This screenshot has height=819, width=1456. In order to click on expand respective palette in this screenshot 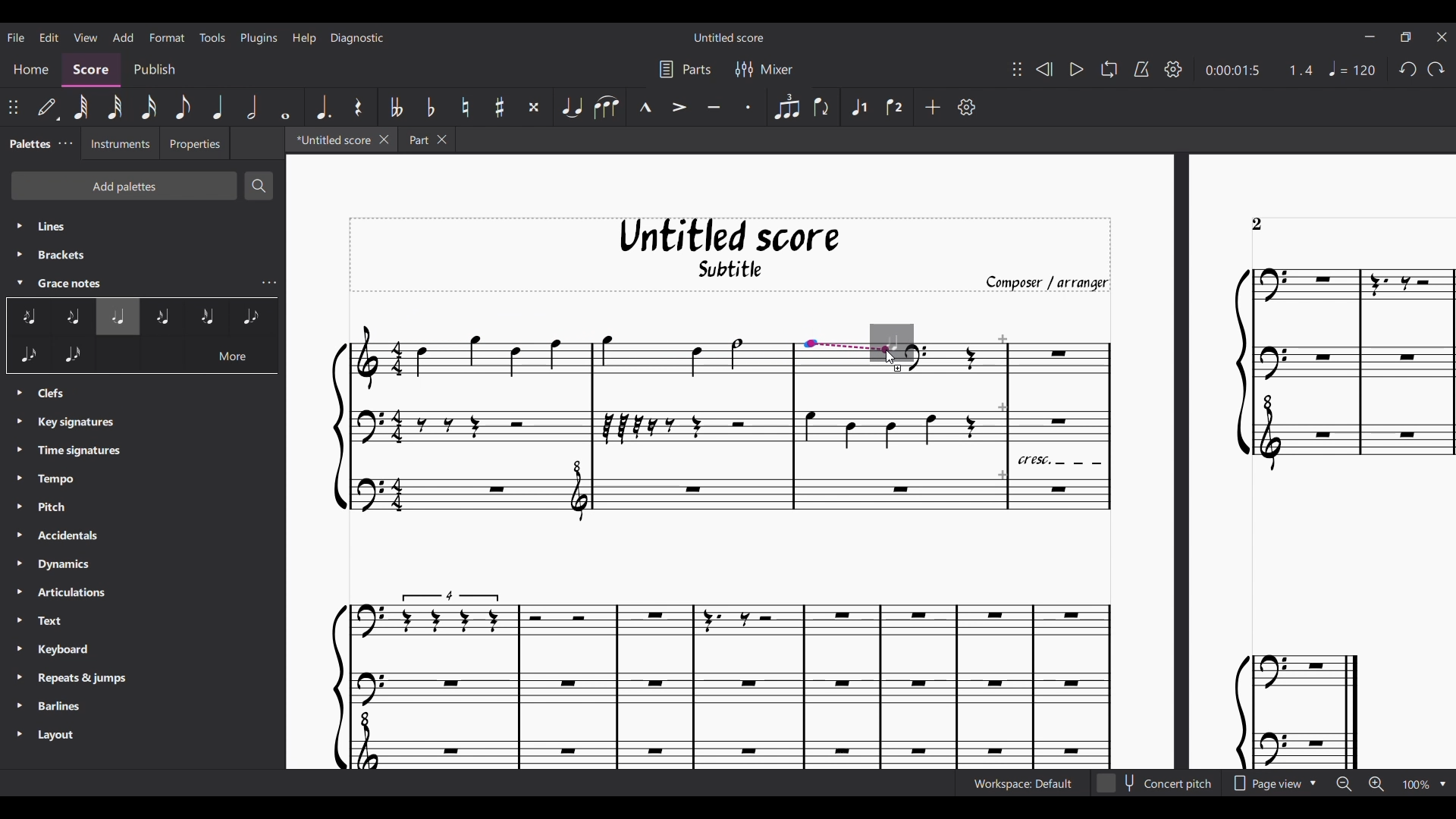, I will do `click(20, 242)`.